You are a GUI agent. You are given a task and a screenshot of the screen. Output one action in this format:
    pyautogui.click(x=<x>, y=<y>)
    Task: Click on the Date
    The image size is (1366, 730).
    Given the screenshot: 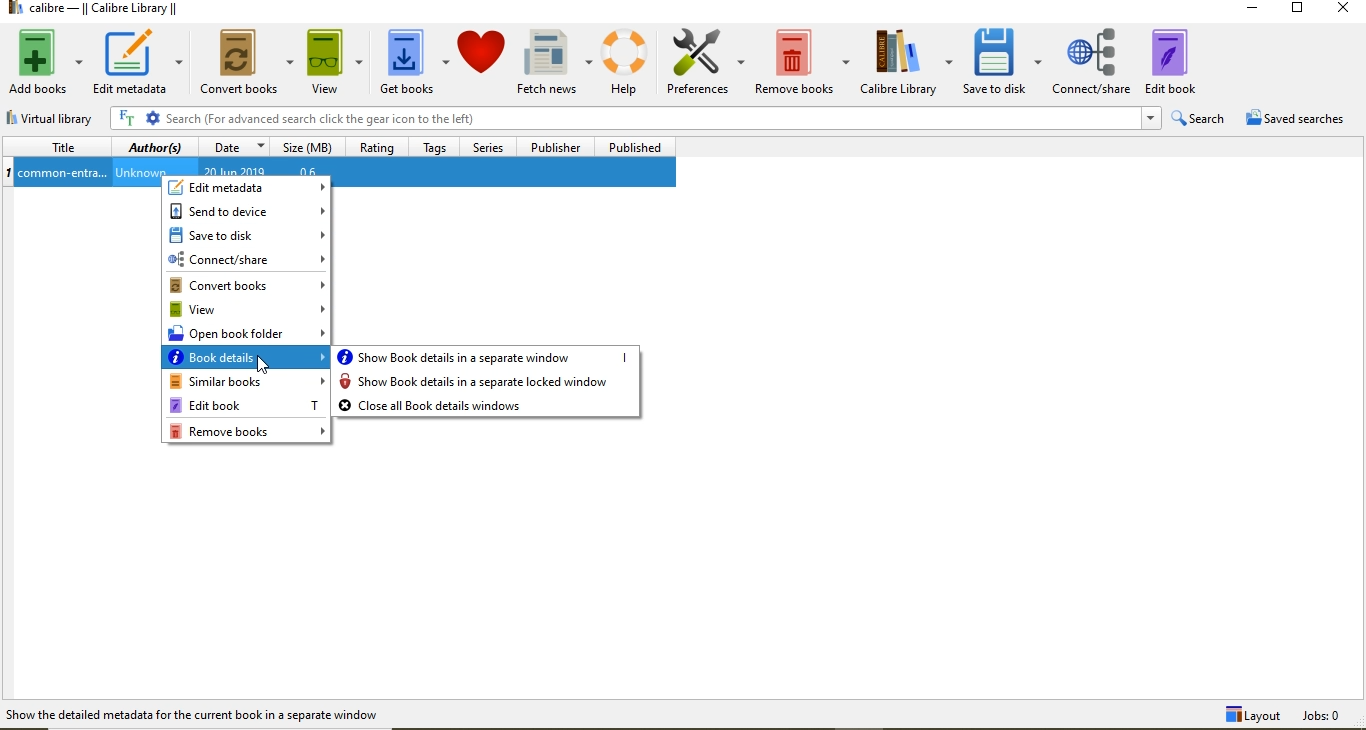 What is the action you would take?
    pyautogui.click(x=233, y=149)
    